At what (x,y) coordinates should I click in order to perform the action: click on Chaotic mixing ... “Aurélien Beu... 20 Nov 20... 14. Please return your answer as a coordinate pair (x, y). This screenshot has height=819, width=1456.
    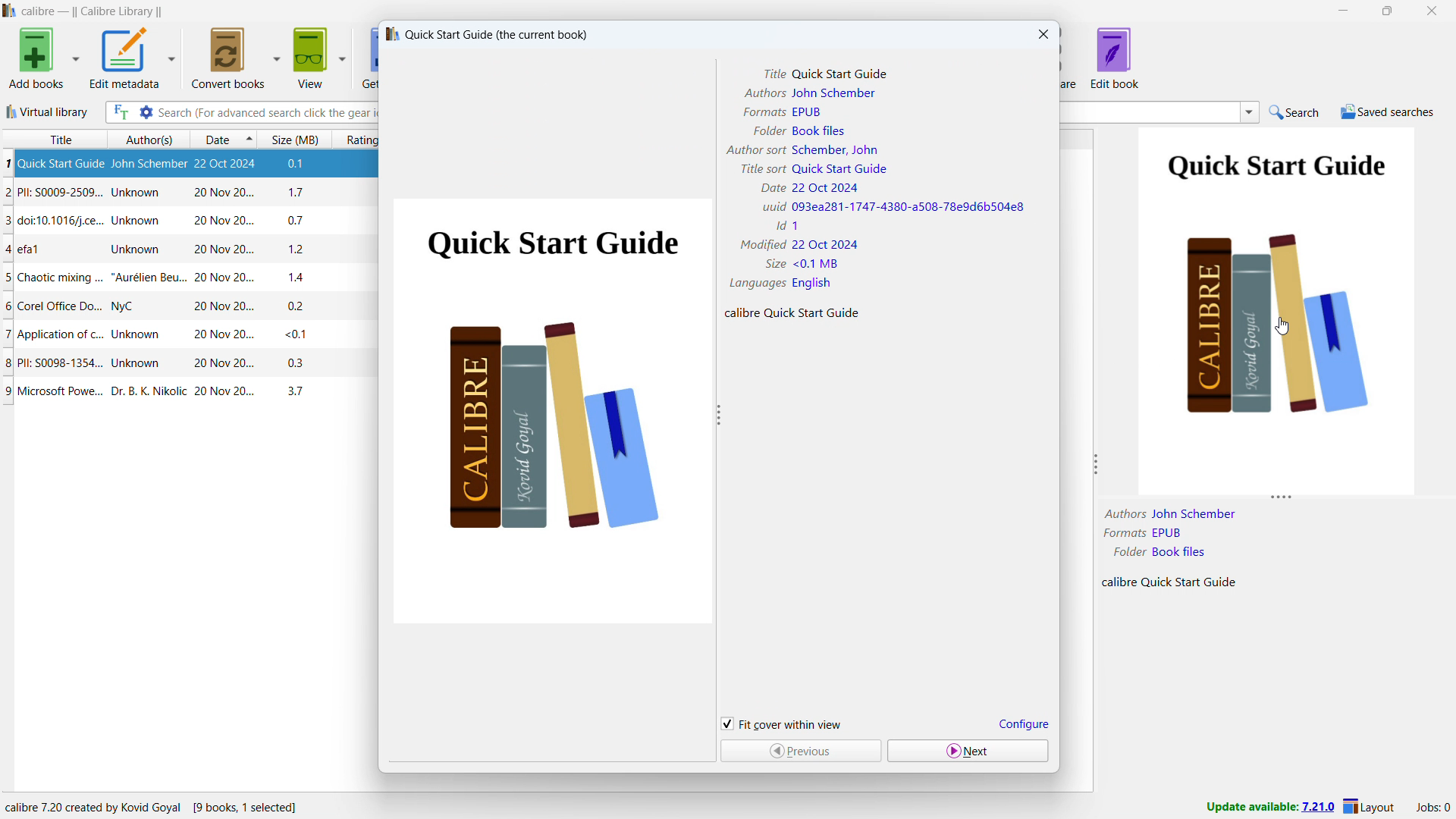
    Looking at the image, I should click on (95, 280).